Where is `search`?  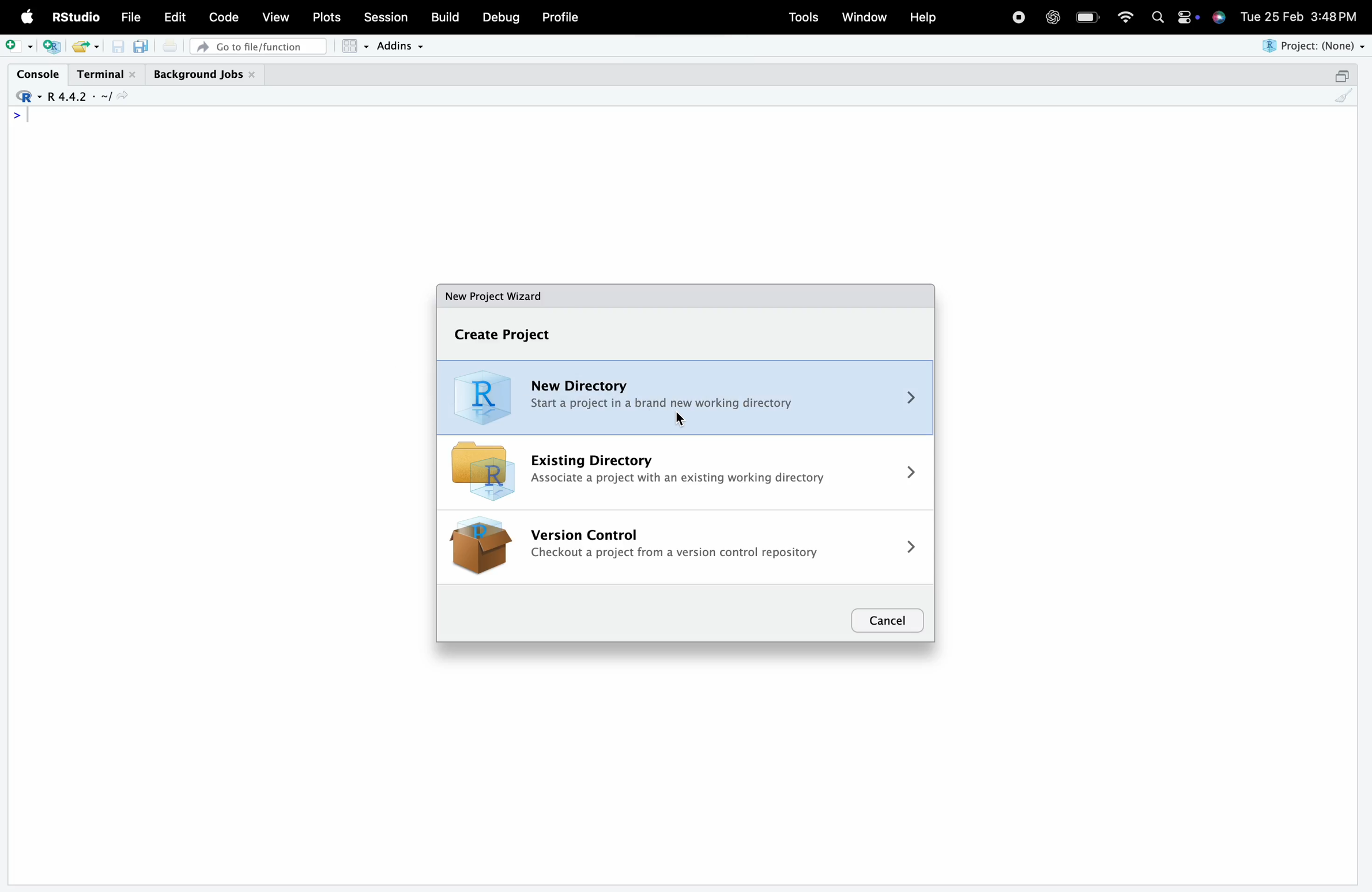
search is located at coordinates (1158, 17).